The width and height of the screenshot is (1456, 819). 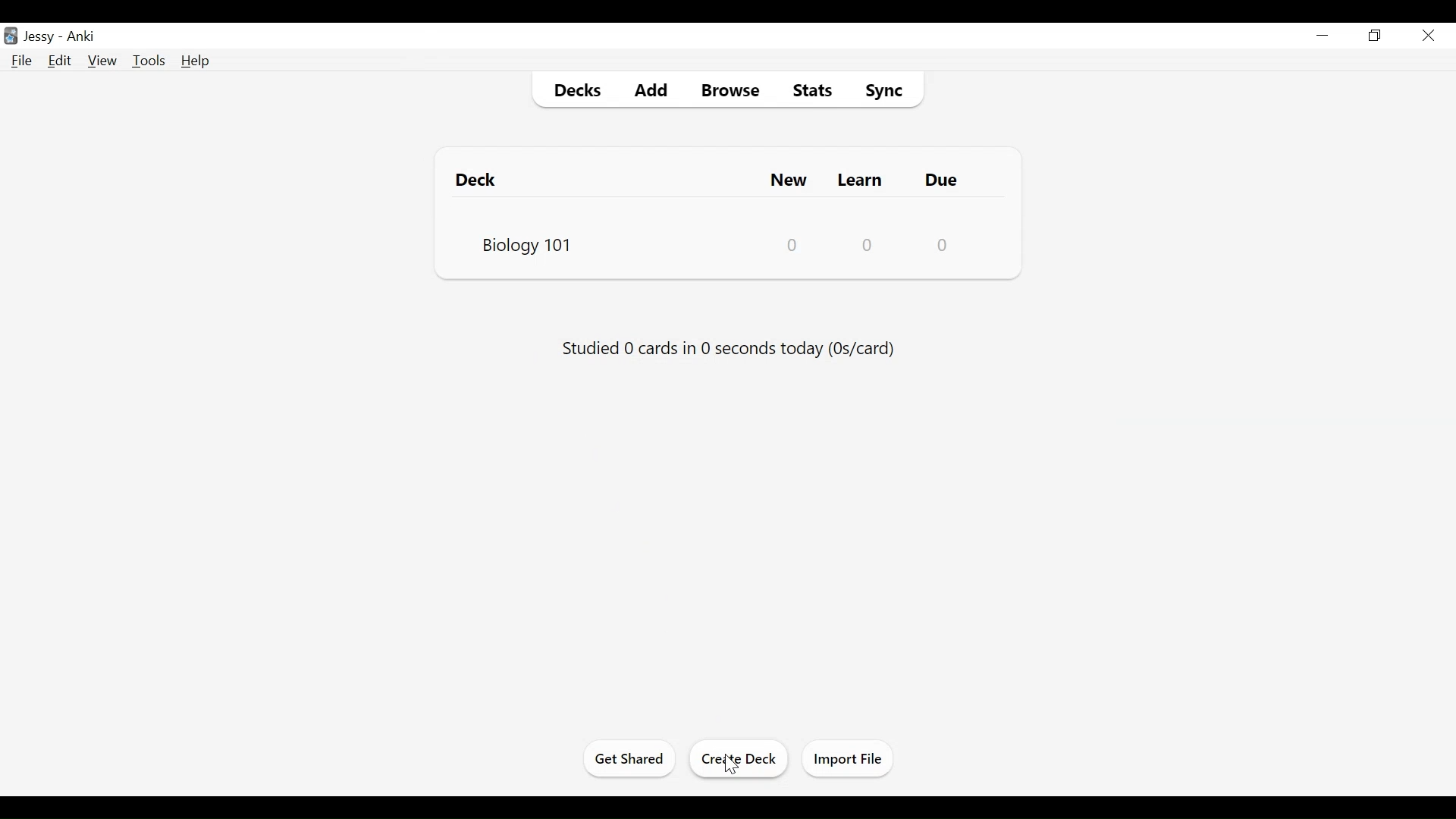 What do you see at coordinates (795, 243) in the screenshot?
I see `New Card Counts` at bounding box center [795, 243].